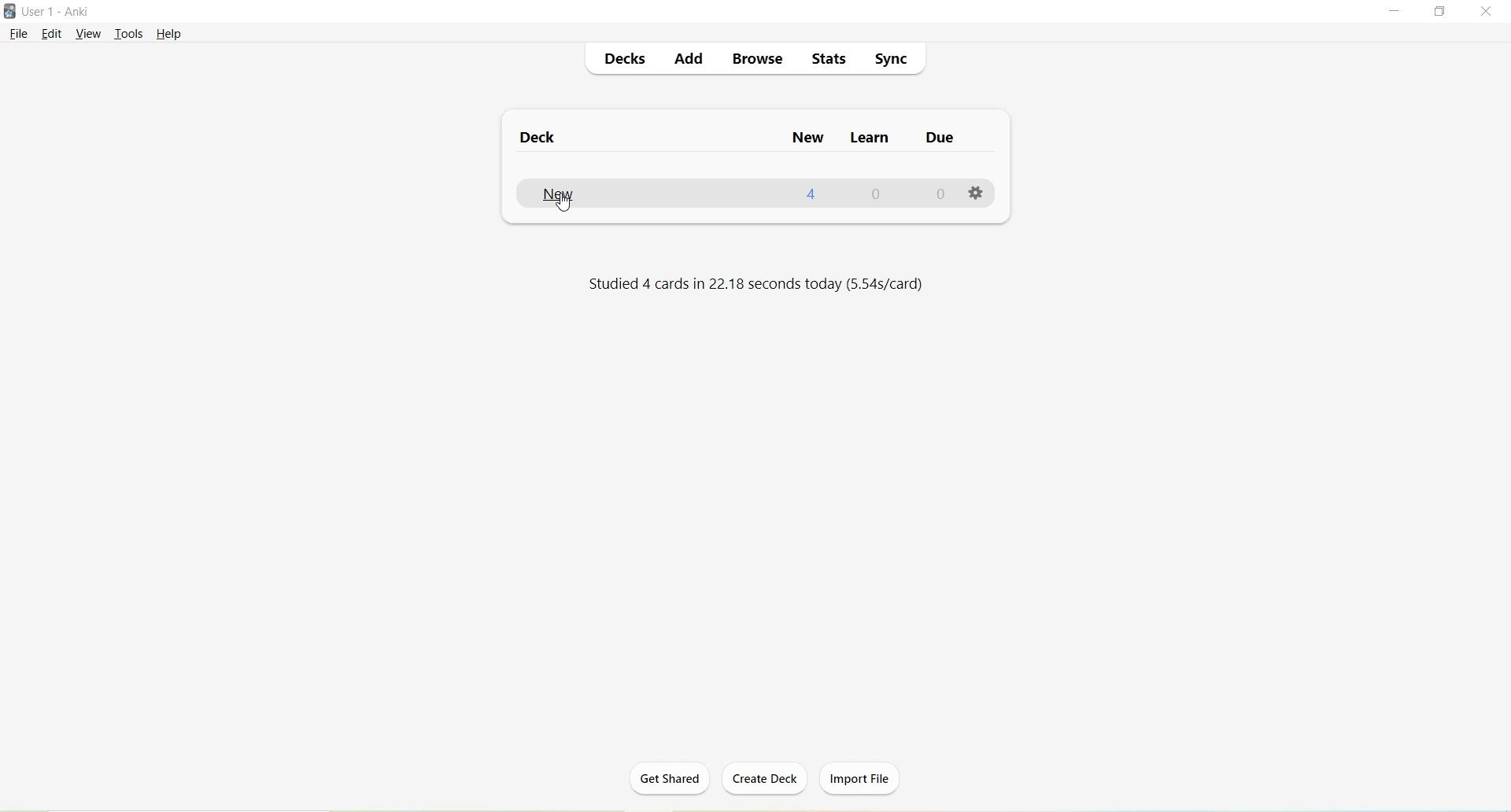 The image size is (1511, 812). I want to click on Tools, so click(128, 35).